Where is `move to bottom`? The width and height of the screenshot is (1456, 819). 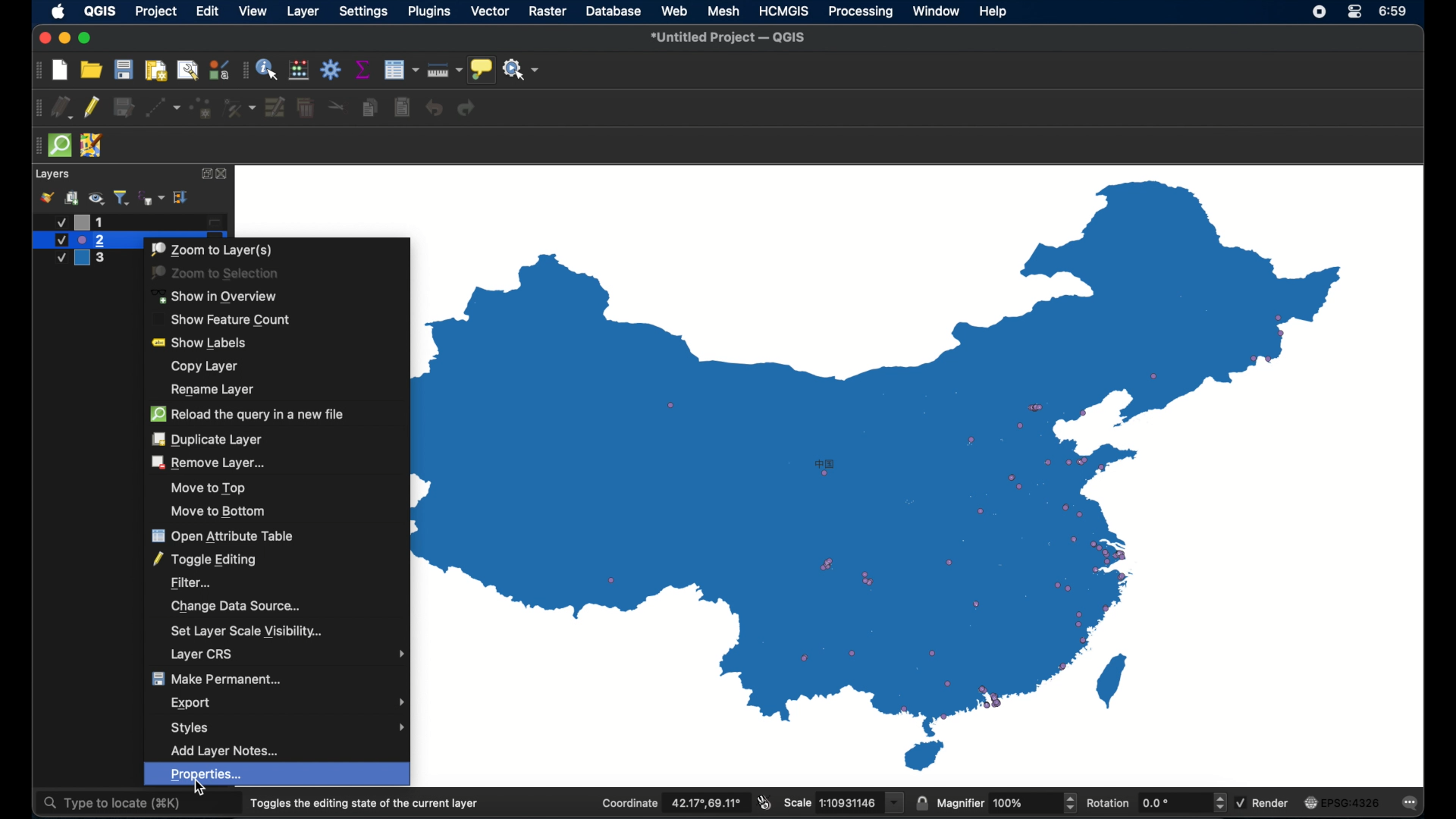
move to bottom is located at coordinates (218, 512).